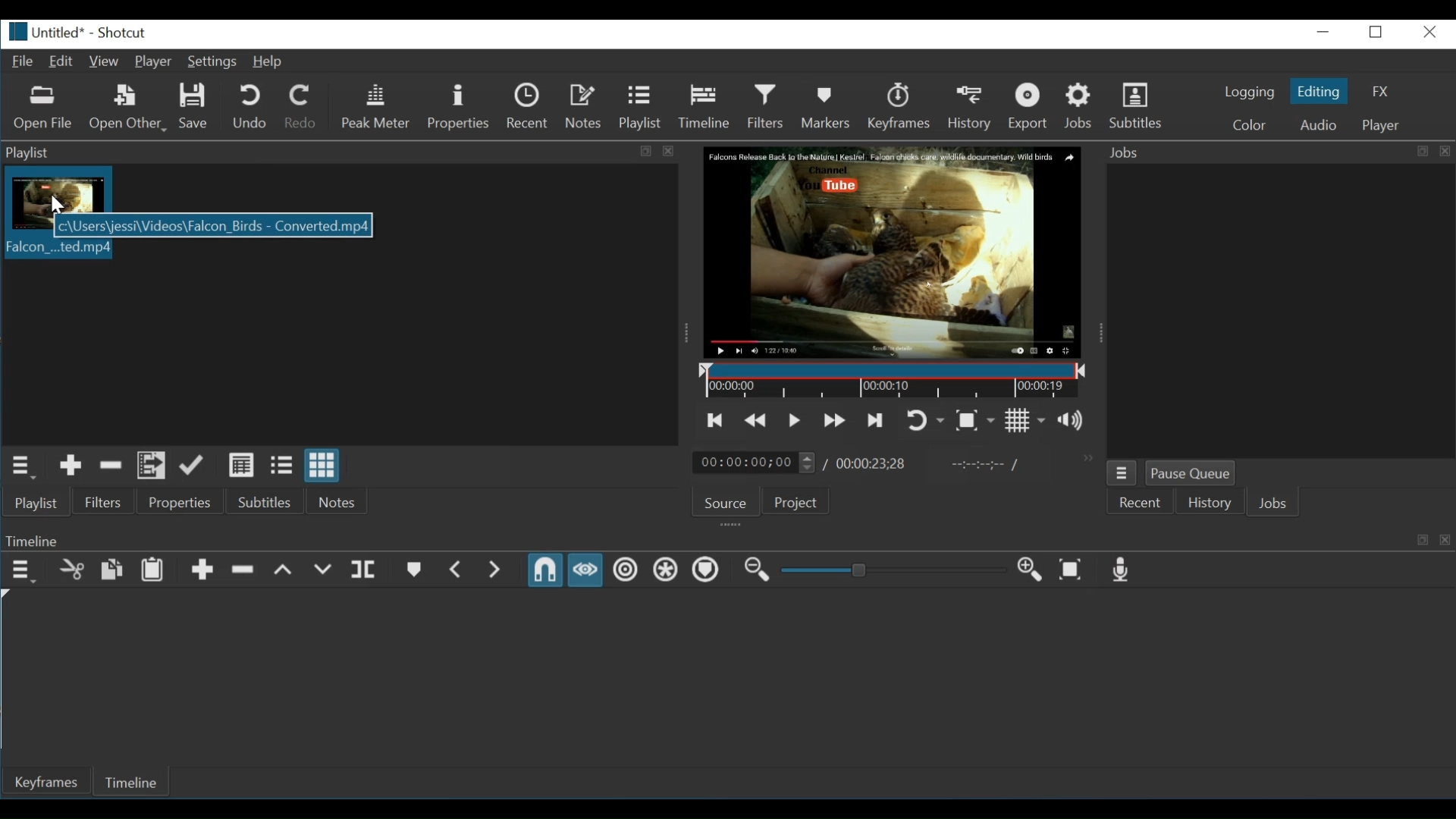 The width and height of the screenshot is (1456, 819). What do you see at coordinates (212, 227) in the screenshot?
I see `File path popup message` at bounding box center [212, 227].